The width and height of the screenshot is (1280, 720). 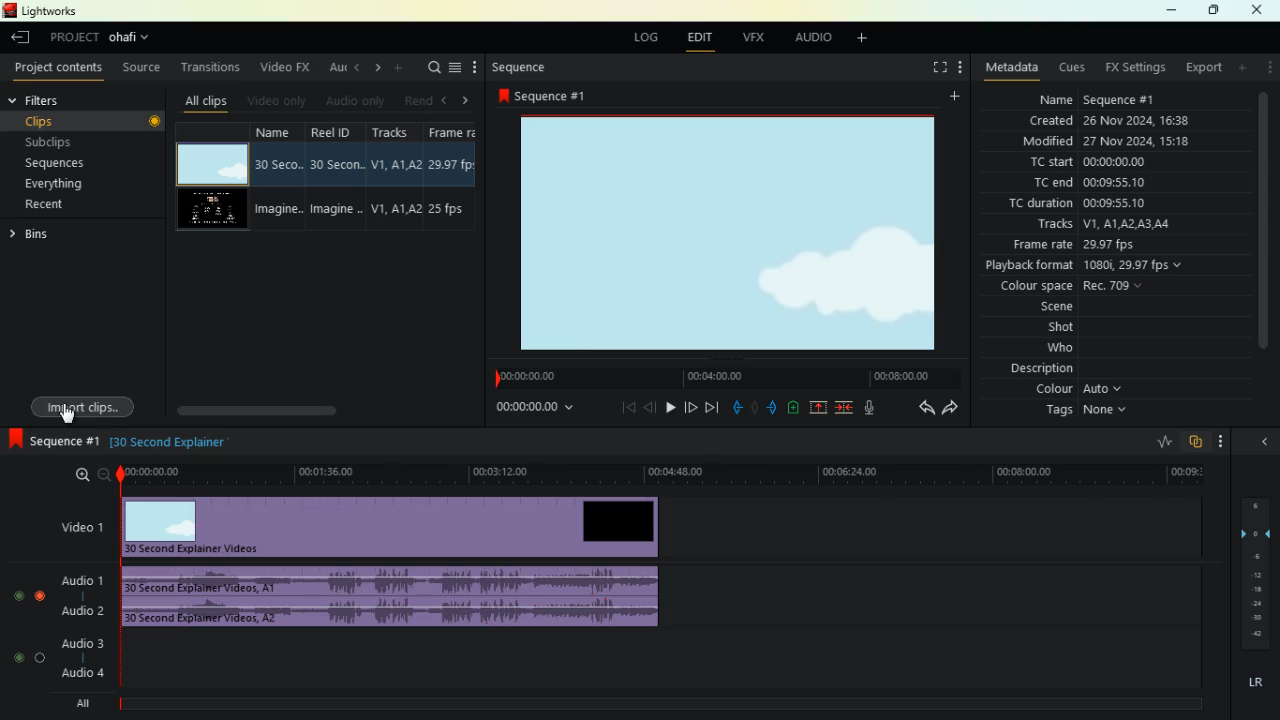 What do you see at coordinates (550, 96) in the screenshot?
I see `sequence` at bounding box center [550, 96].